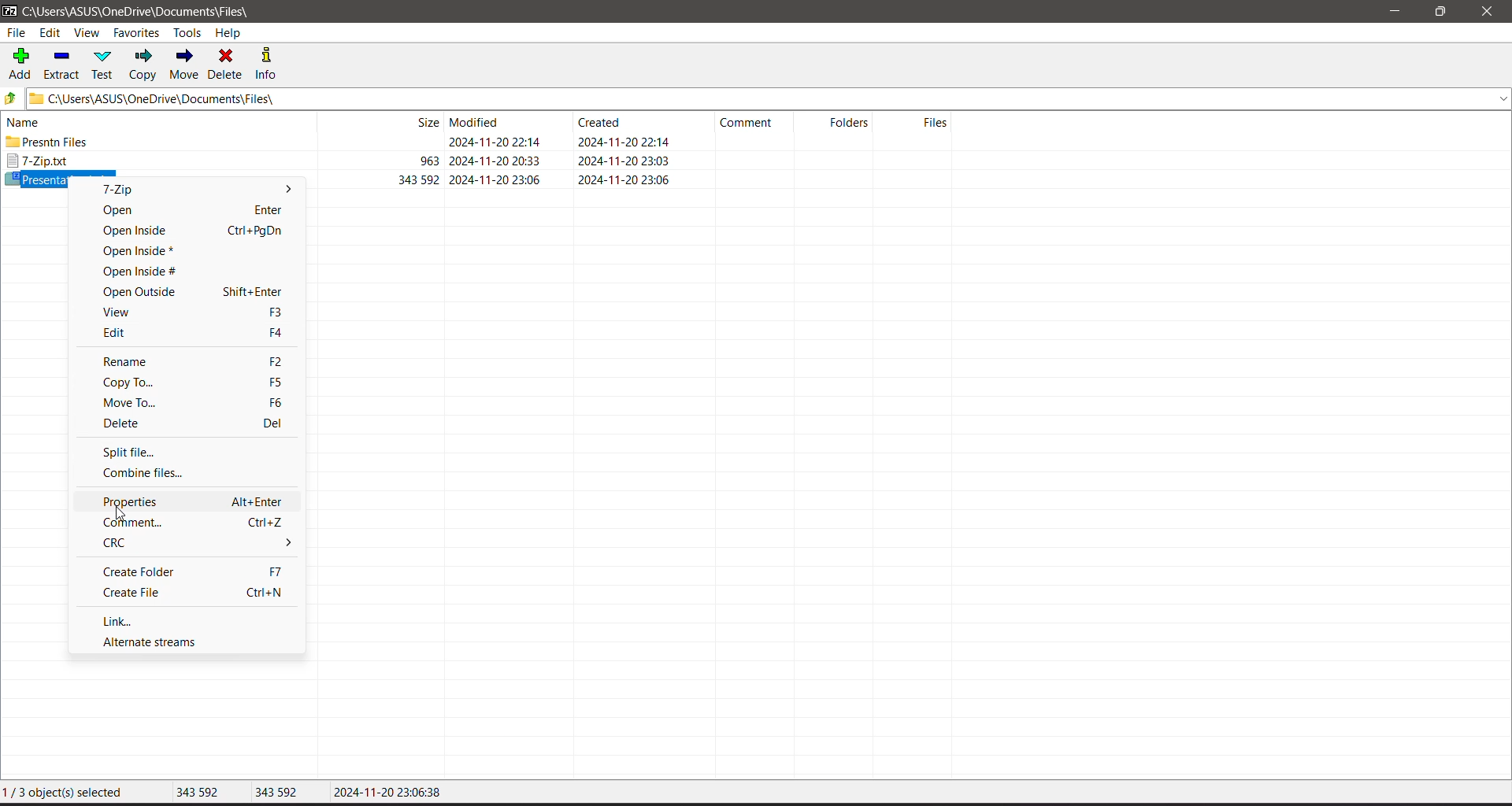 The height and width of the screenshot is (806, 1512). Describe the element at coordinates (227, 63) in the screenshot. I see `Delete` at that location.